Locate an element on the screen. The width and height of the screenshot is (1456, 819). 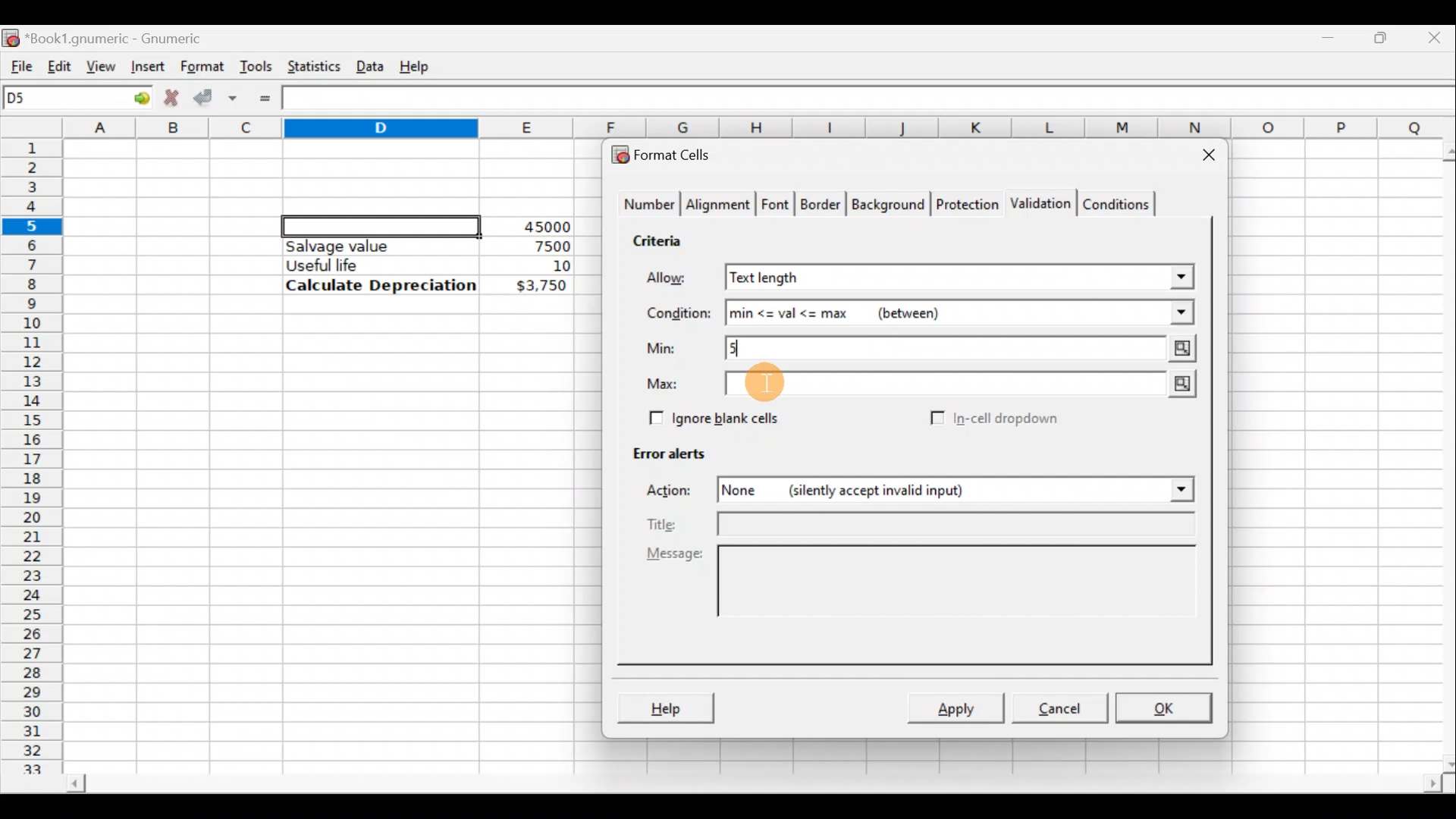
Allow drop down is located at coordinates (1180, 275).